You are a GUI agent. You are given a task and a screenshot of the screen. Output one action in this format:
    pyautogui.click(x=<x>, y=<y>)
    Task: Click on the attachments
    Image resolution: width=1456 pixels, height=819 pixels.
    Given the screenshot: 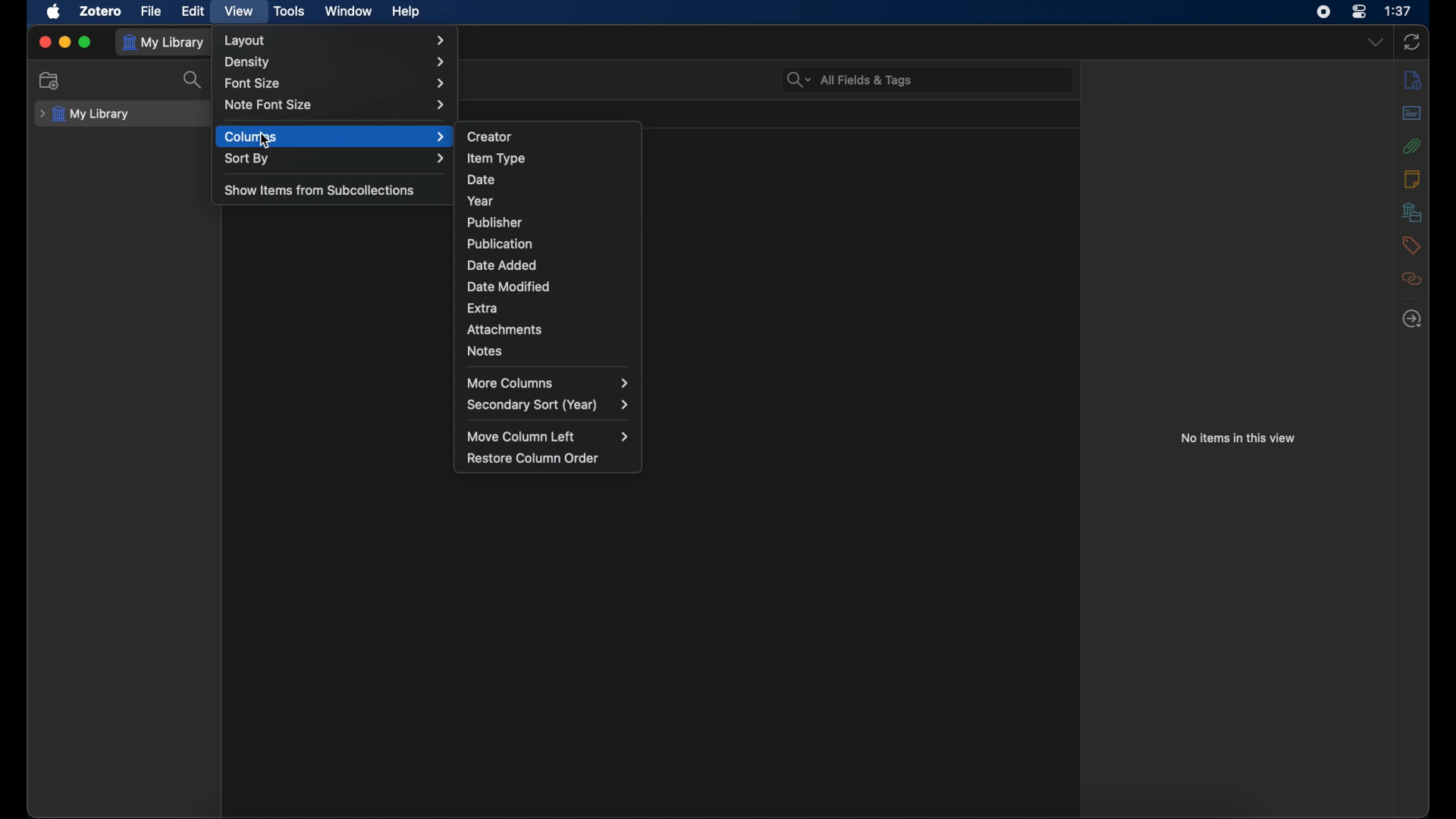 What is the action you would take?
    pyautogui.click(x=506, y=330)
    